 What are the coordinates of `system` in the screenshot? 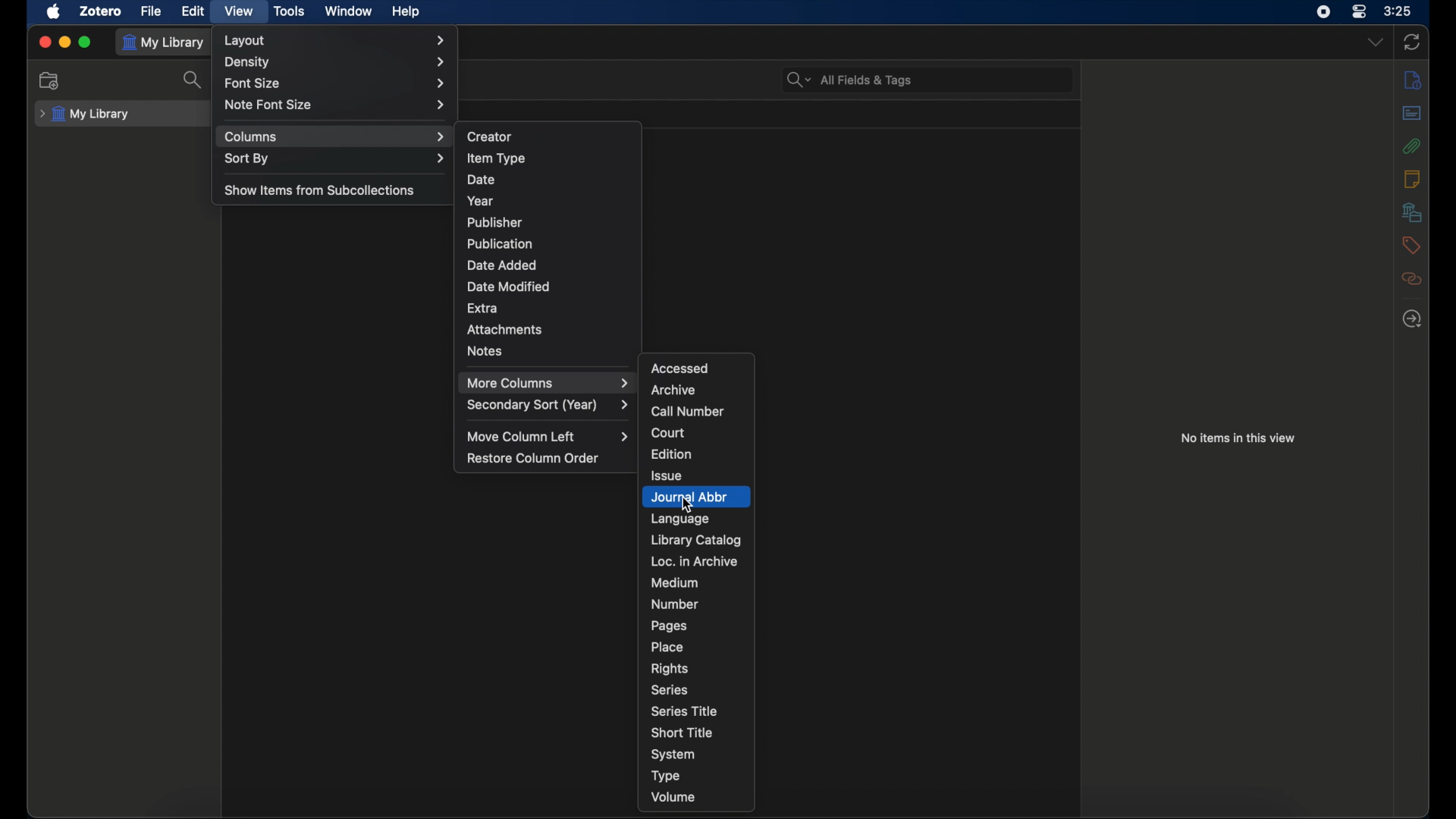 It's located at (673, 755).